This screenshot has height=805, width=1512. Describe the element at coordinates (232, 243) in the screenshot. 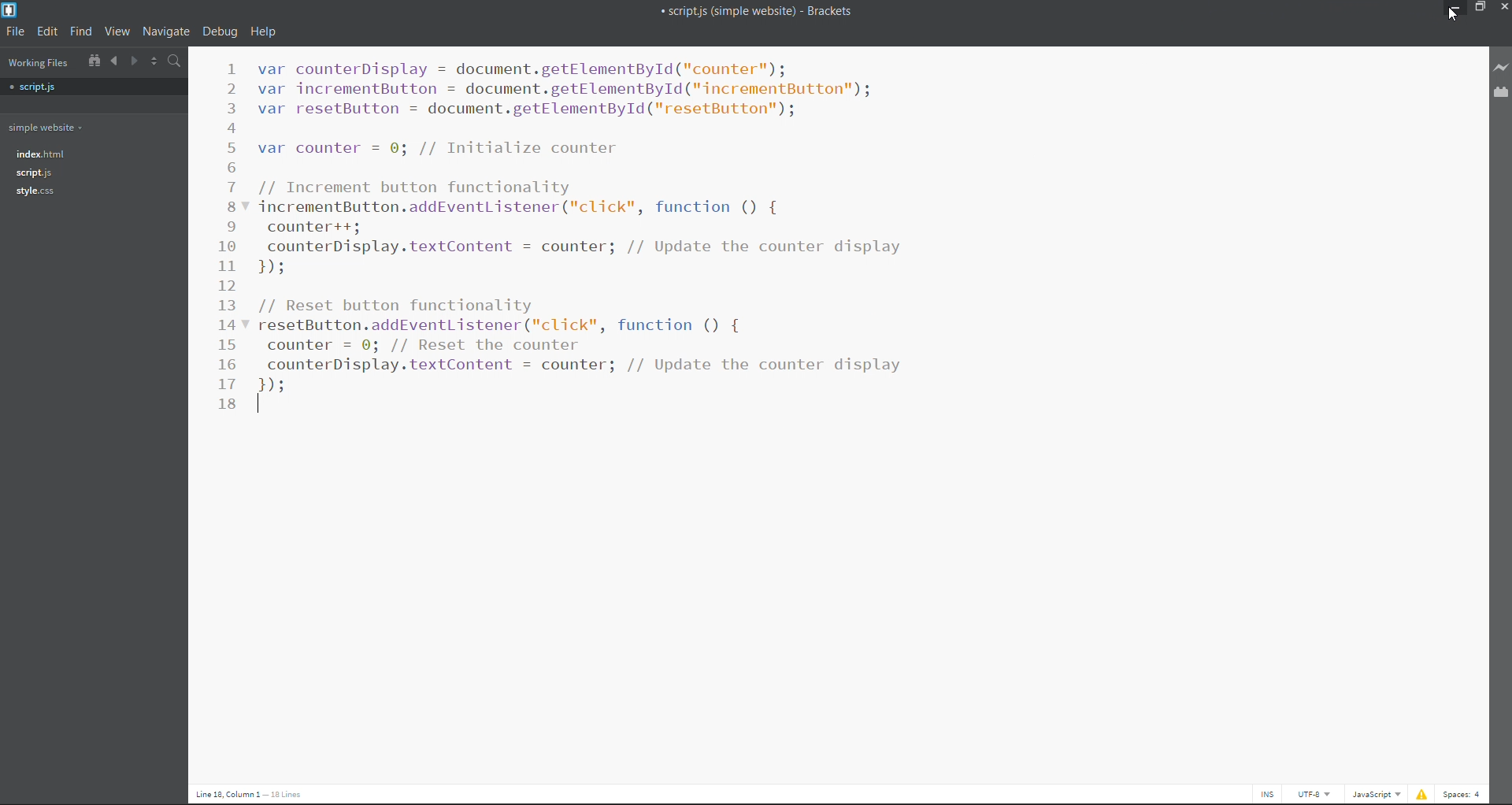

I see `line number` at that location.